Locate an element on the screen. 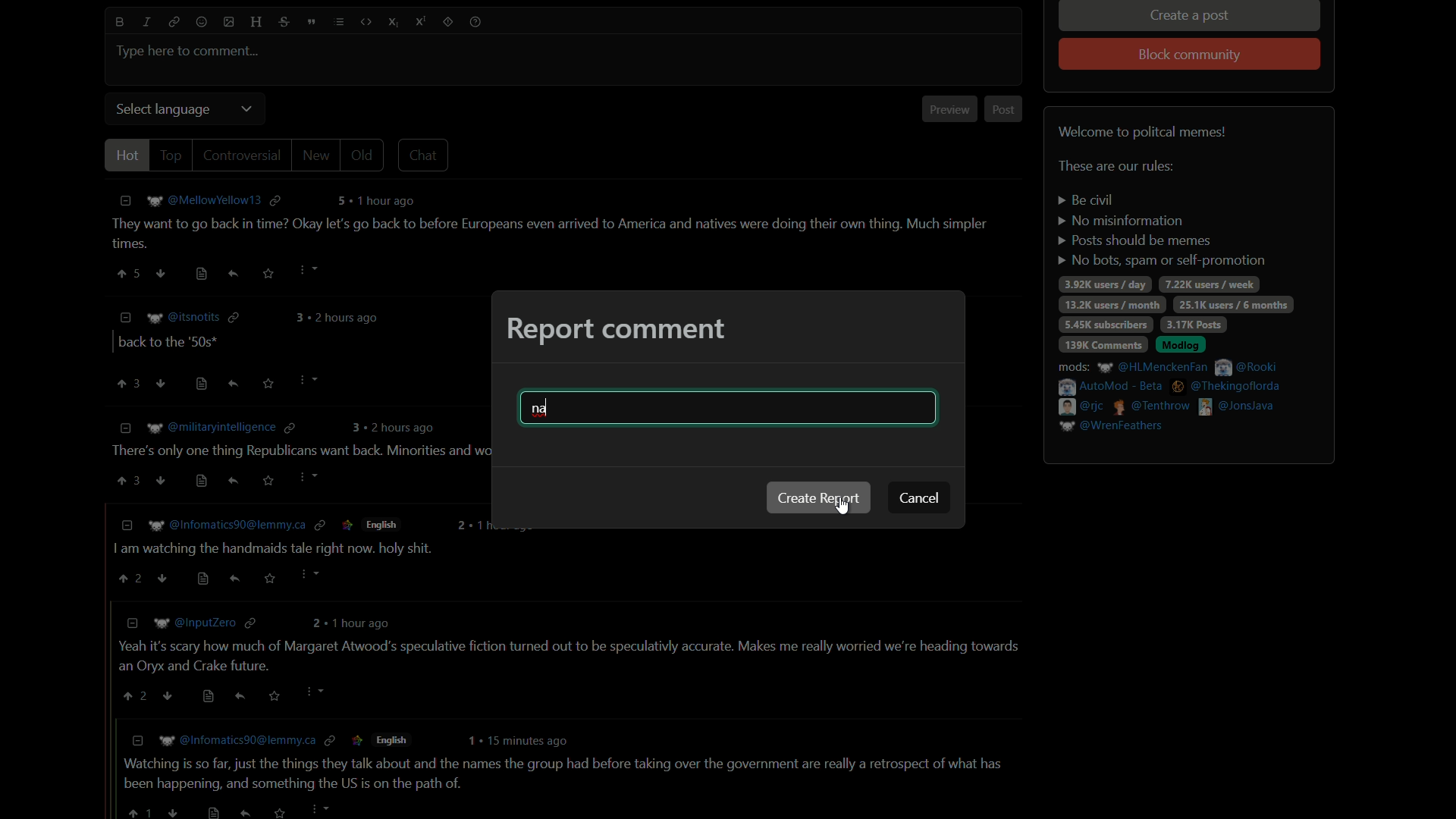 This screenshot has height=819, width=1456. mods is located at coordinates (1172, 396).